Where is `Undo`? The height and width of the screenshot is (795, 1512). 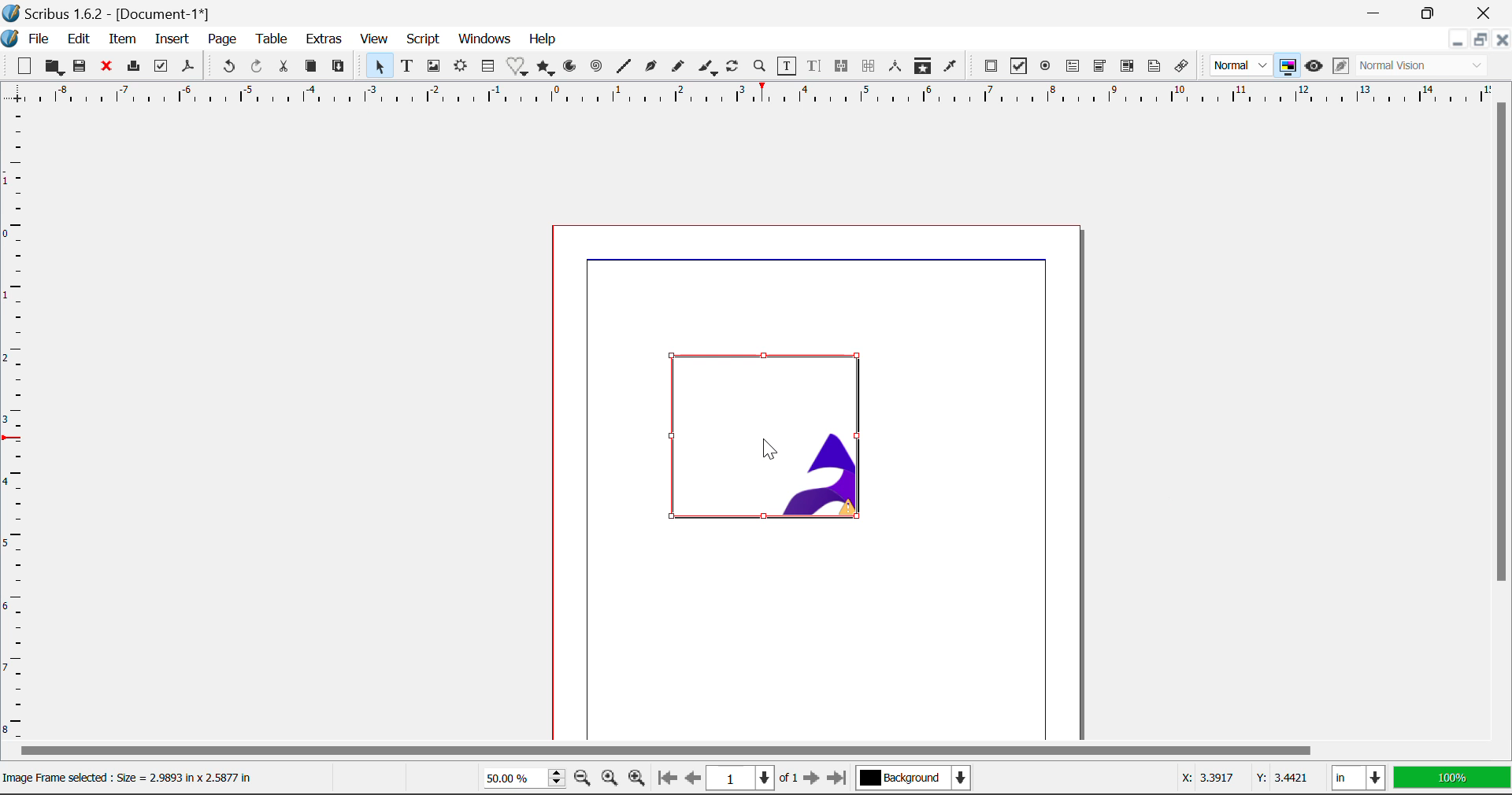
Undo is located at coordinates (228, 66).